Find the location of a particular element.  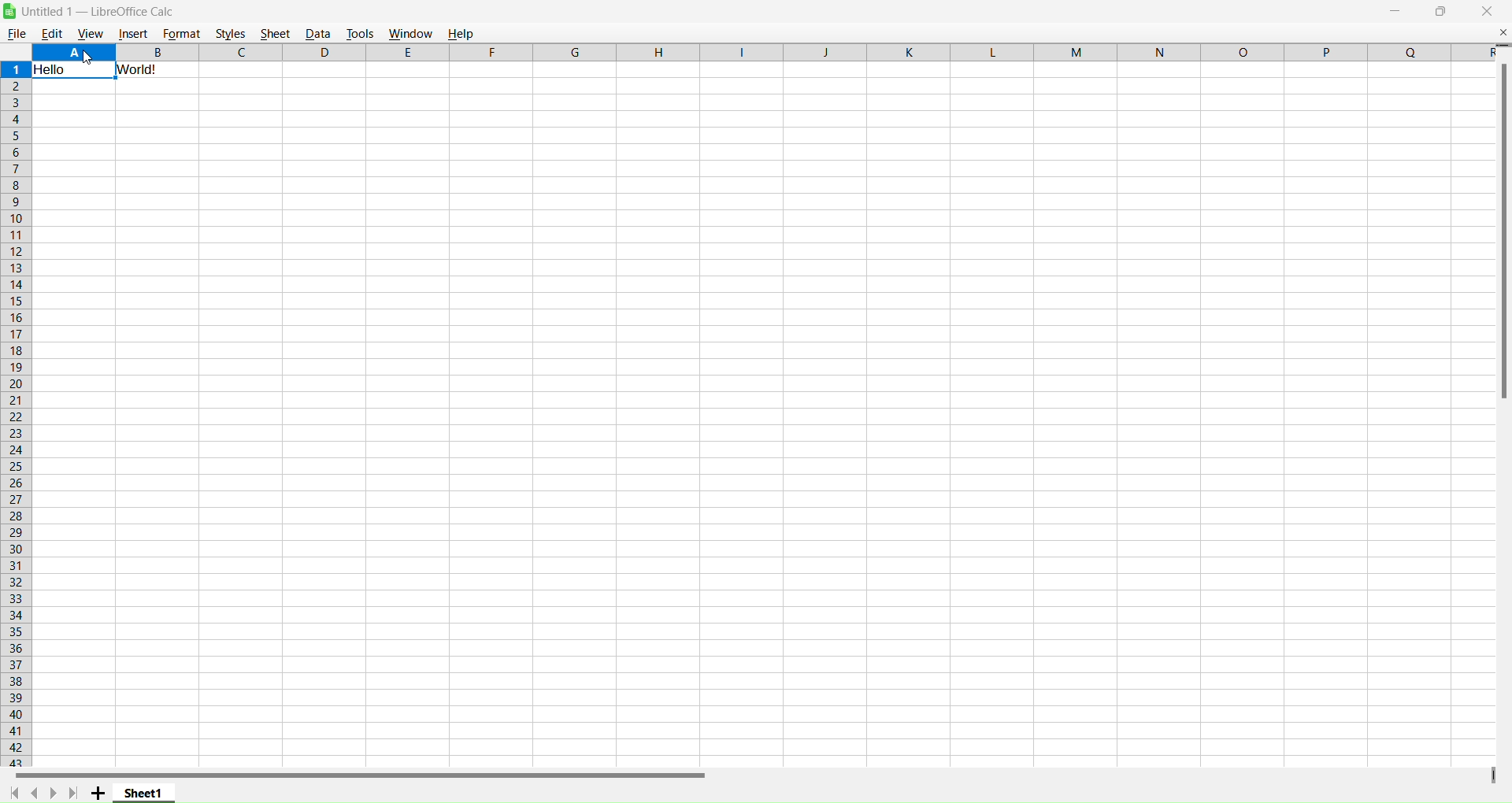

First Slide is located at coordinates (15, 792).